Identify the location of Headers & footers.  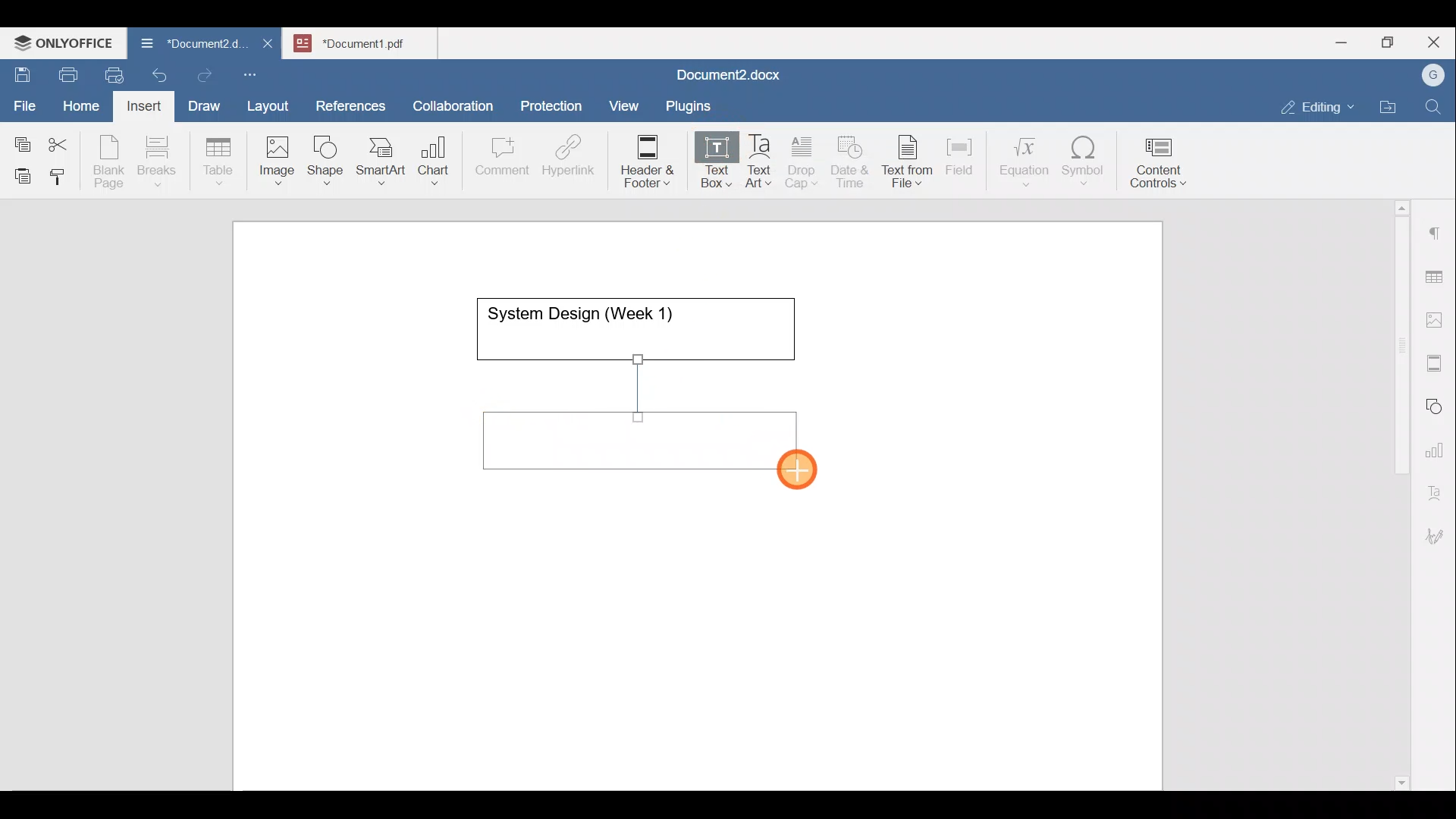
(1437, 359).